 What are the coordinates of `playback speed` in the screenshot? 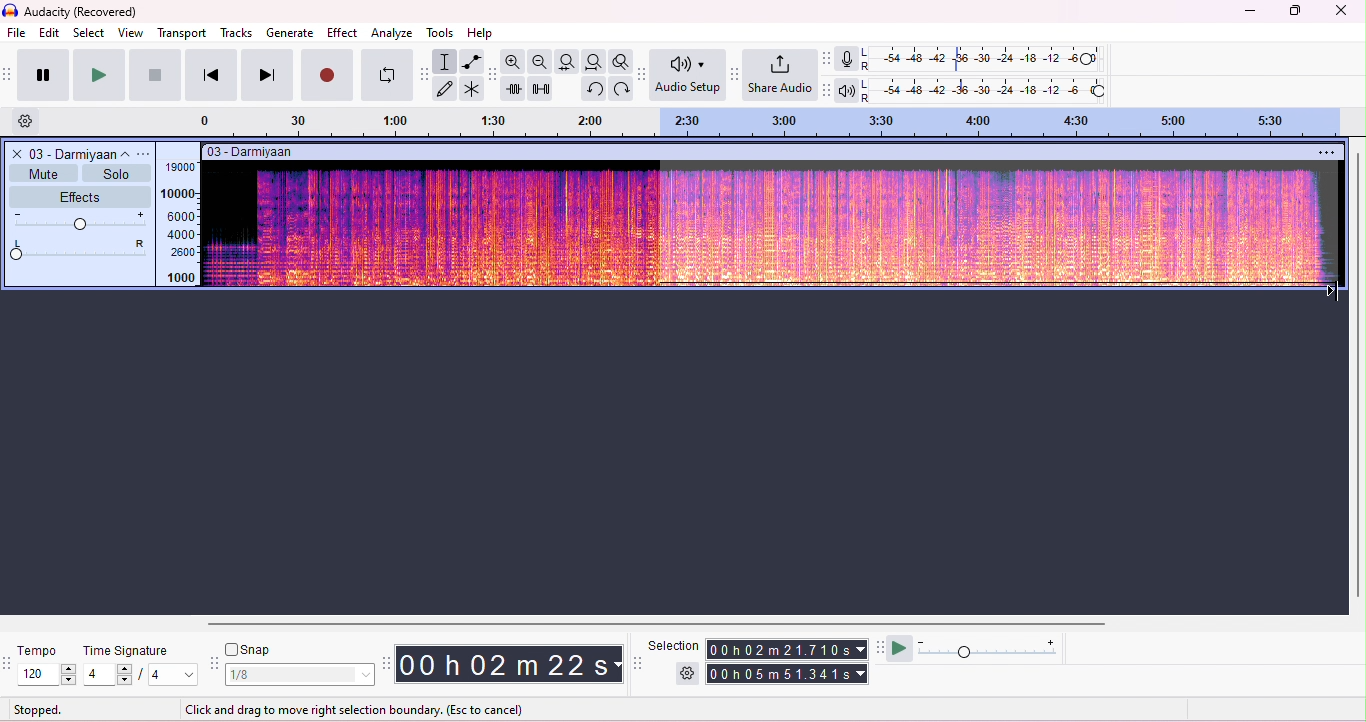 It's located at (991, 649).